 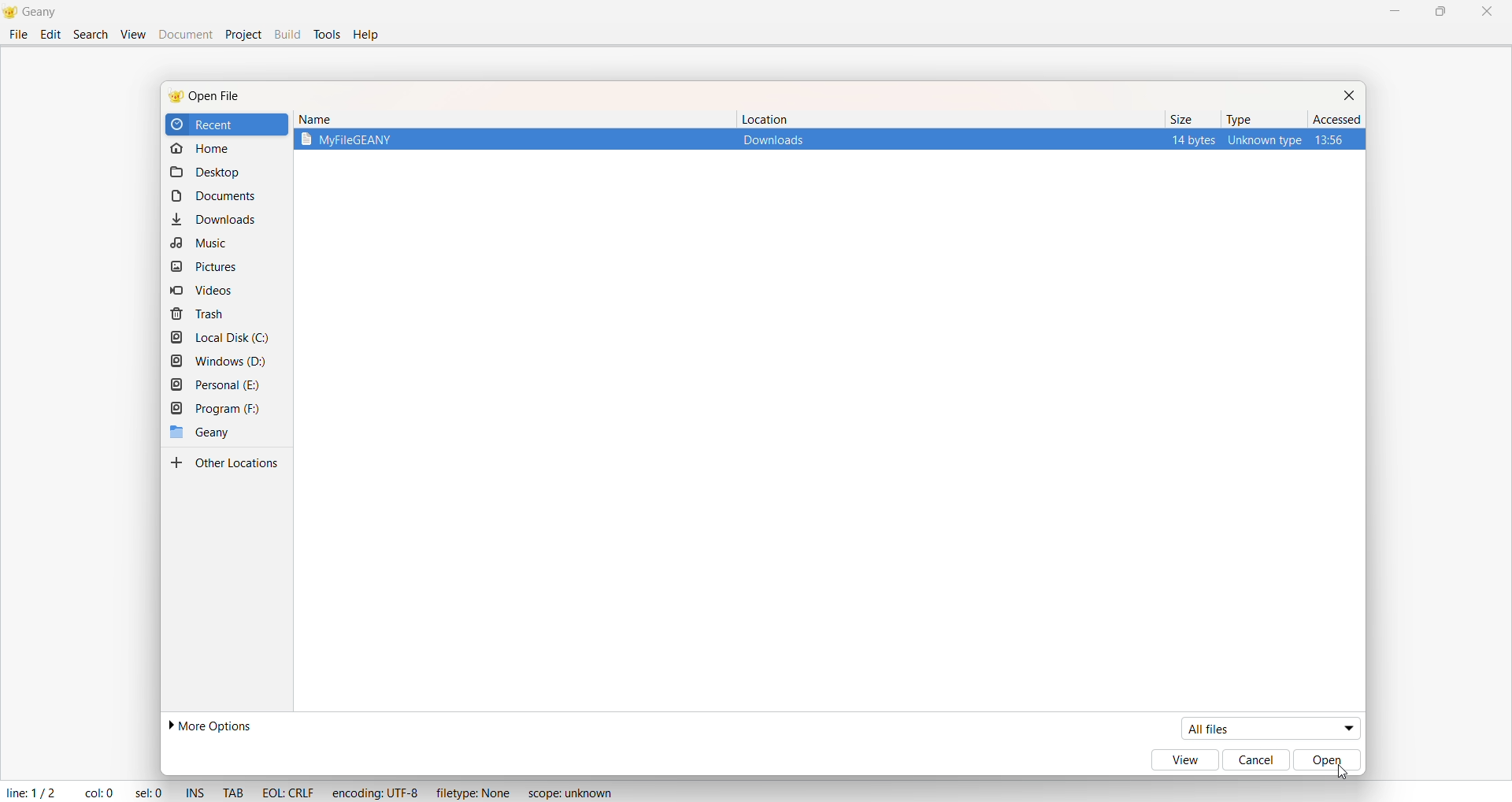 I want to click on download, so click(x=214, y=218).